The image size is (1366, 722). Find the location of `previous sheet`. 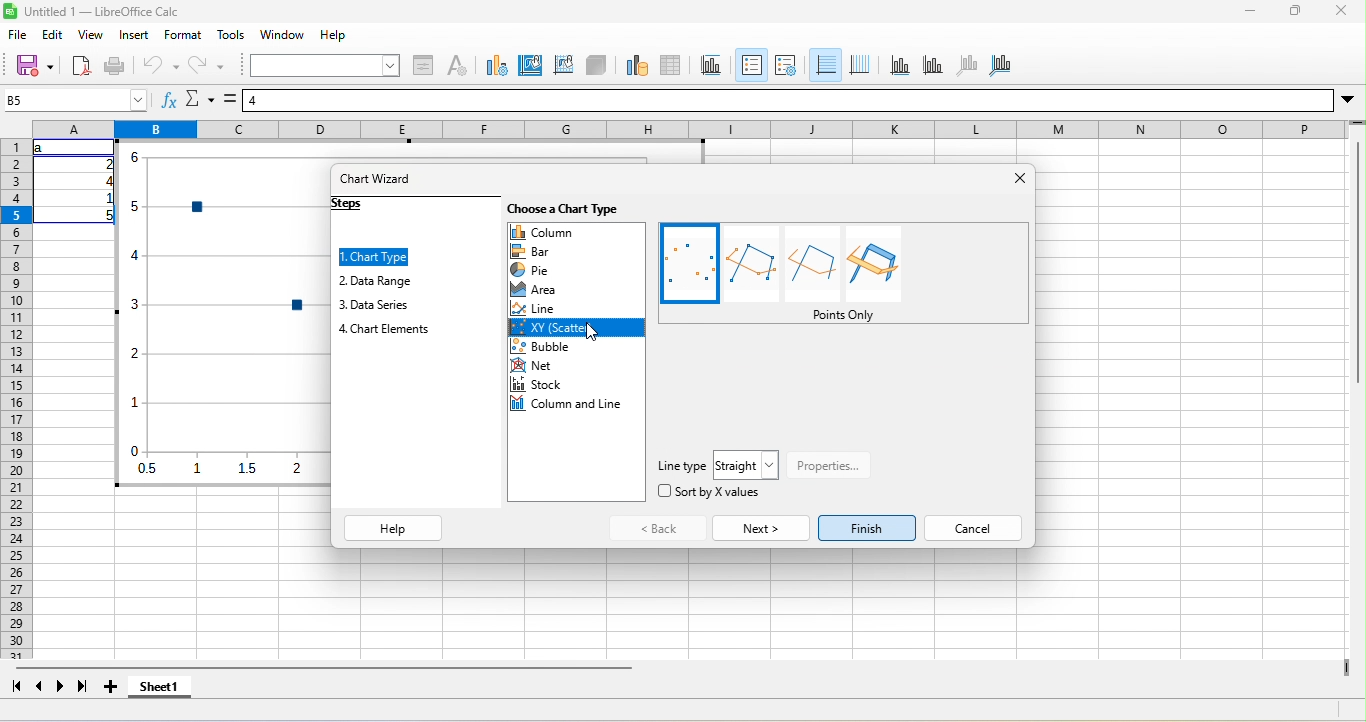

previous sheet is located at coordinates (40, 686).